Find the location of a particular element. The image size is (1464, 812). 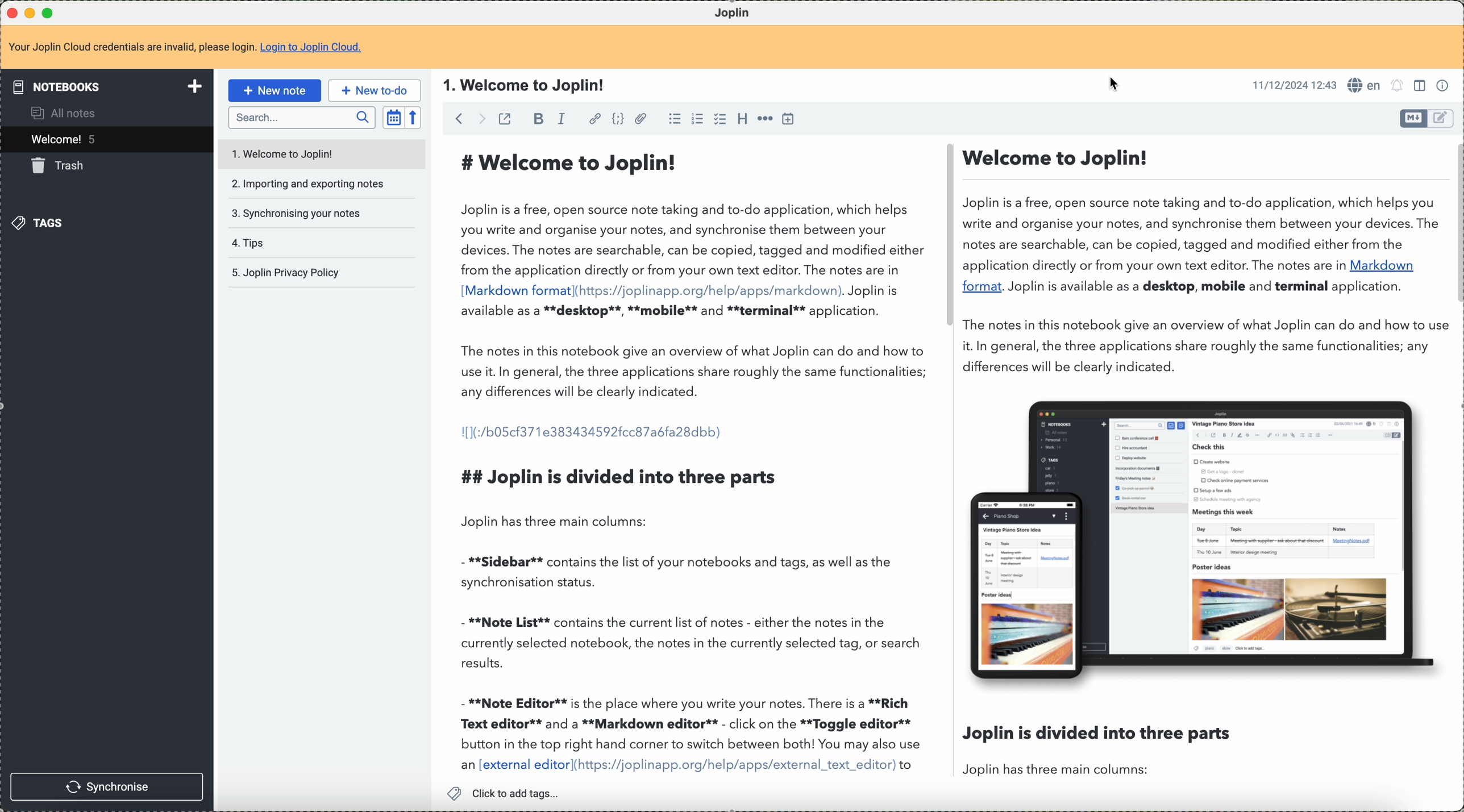

hyperlink is located at coordinates (595, 118).